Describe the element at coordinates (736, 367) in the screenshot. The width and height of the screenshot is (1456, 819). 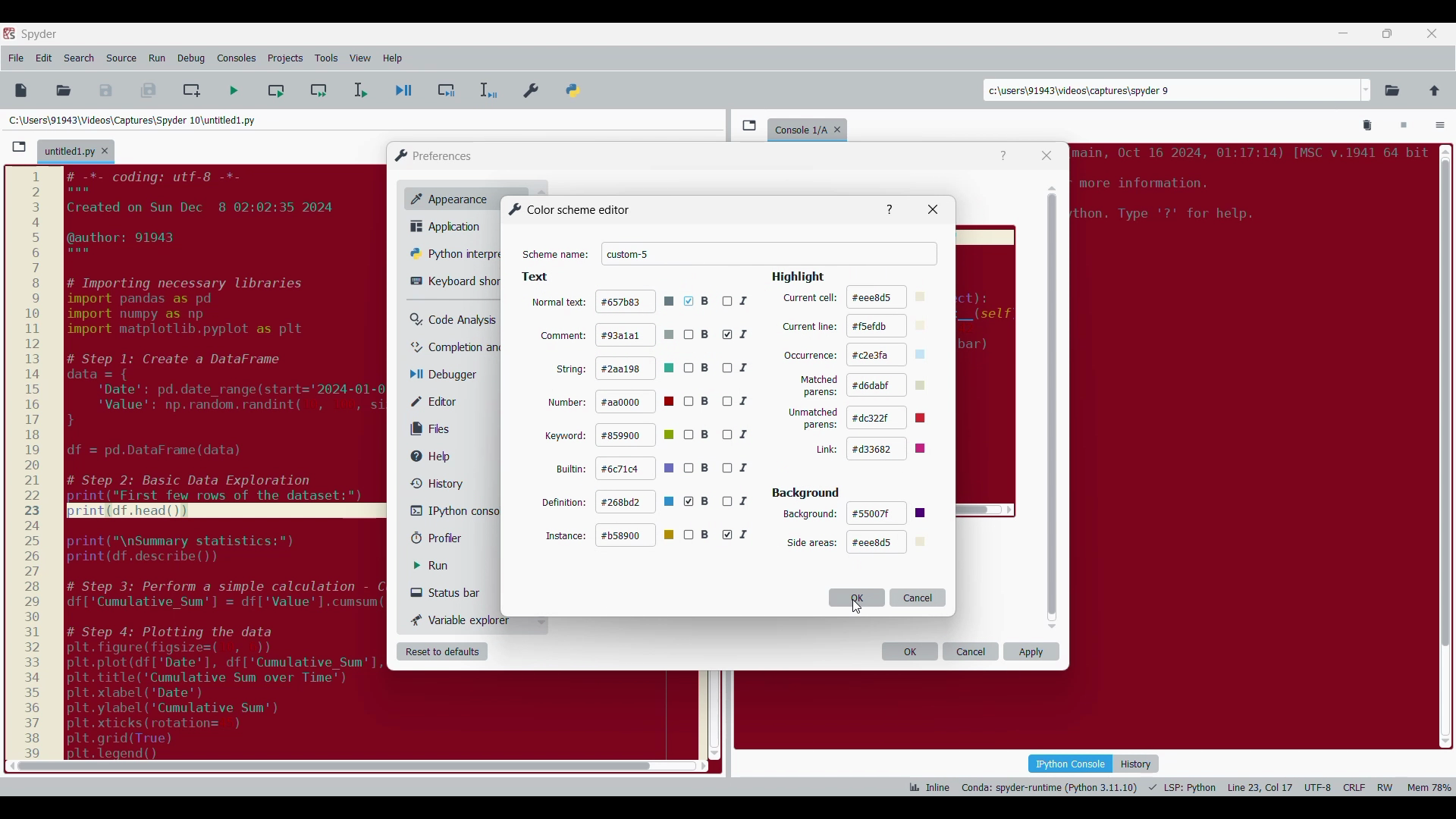
I see `I` at that location.